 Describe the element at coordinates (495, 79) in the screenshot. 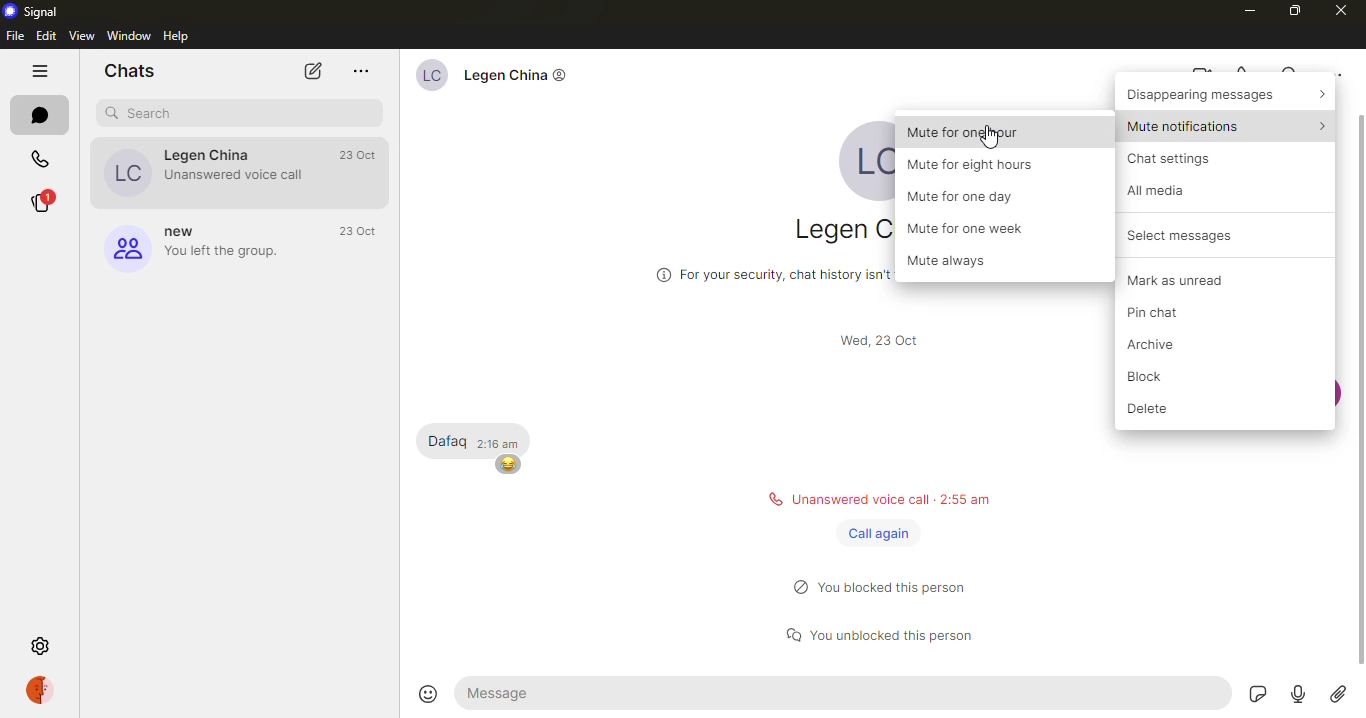

I see `contact` at that location.